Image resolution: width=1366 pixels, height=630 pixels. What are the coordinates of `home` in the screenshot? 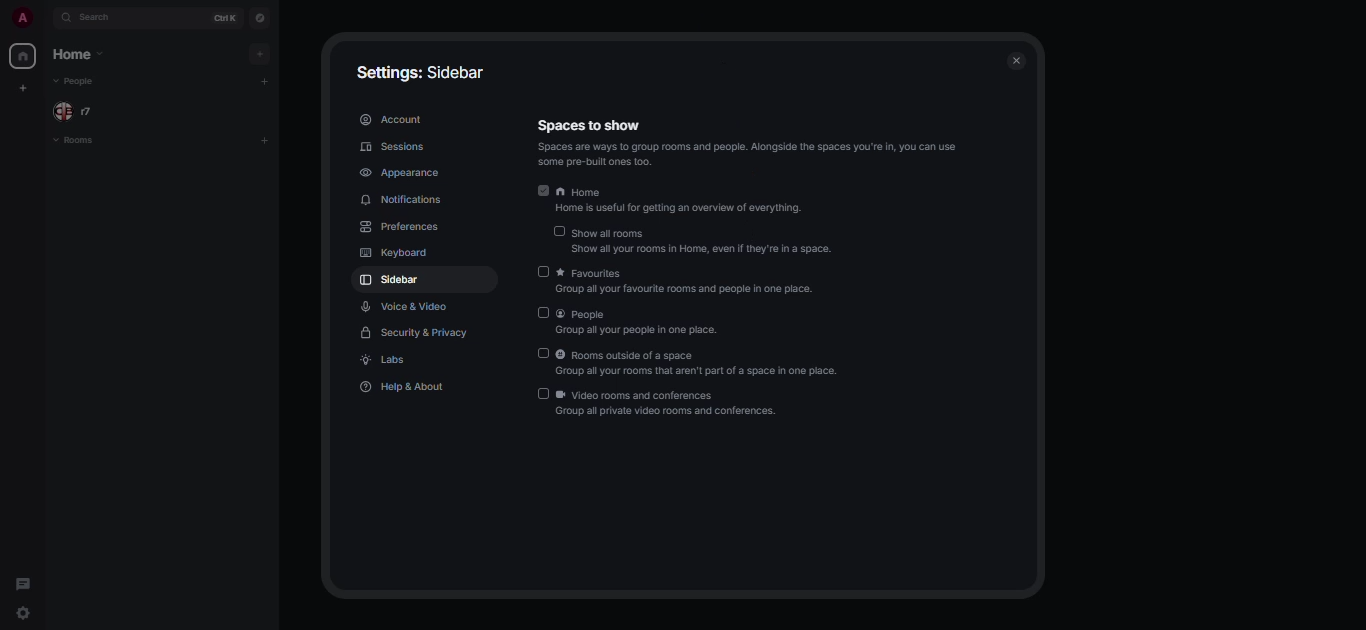 It's located at (79, 55).